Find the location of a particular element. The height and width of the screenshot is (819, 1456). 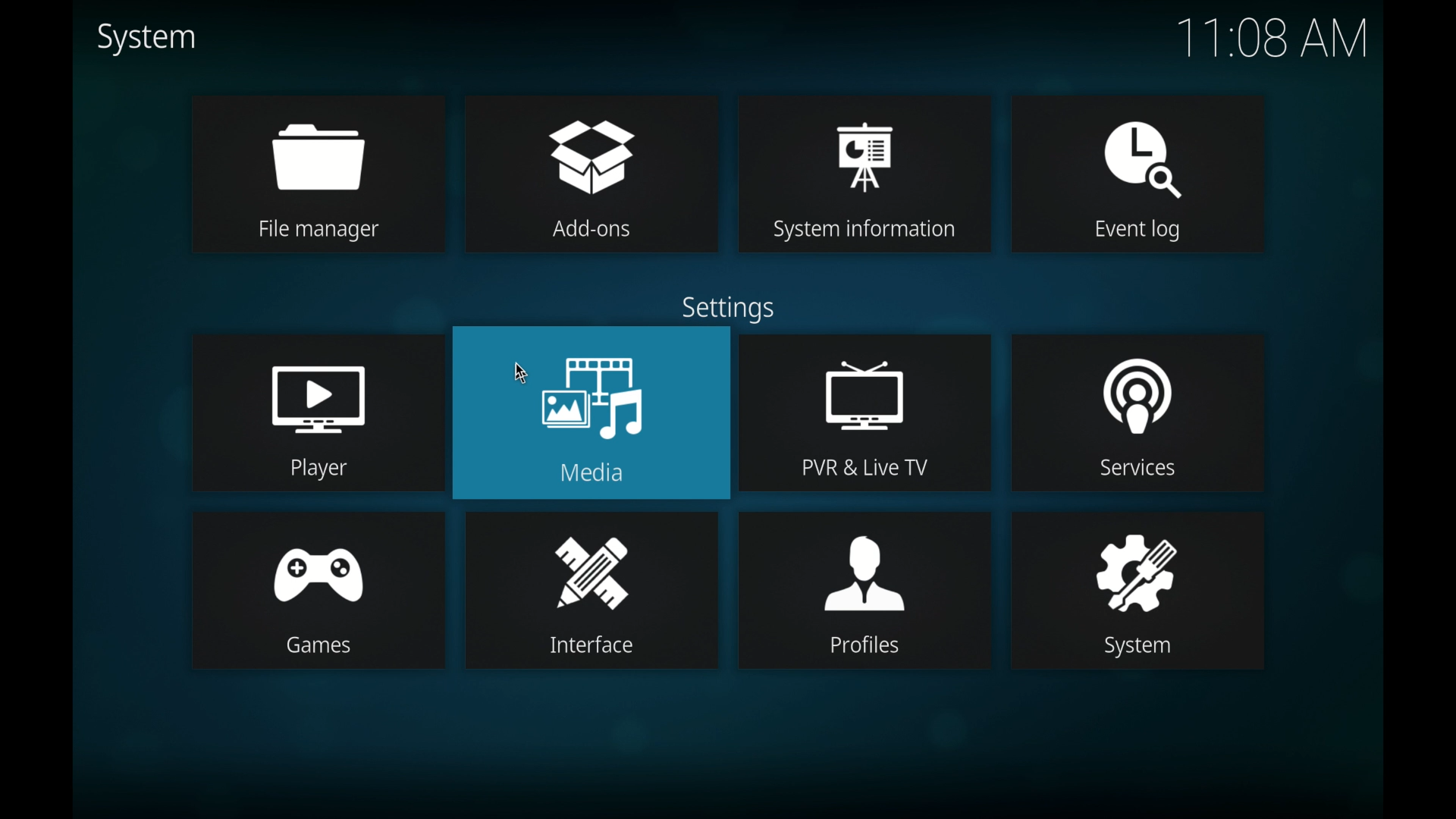

player is located at coordinates (315, 412).